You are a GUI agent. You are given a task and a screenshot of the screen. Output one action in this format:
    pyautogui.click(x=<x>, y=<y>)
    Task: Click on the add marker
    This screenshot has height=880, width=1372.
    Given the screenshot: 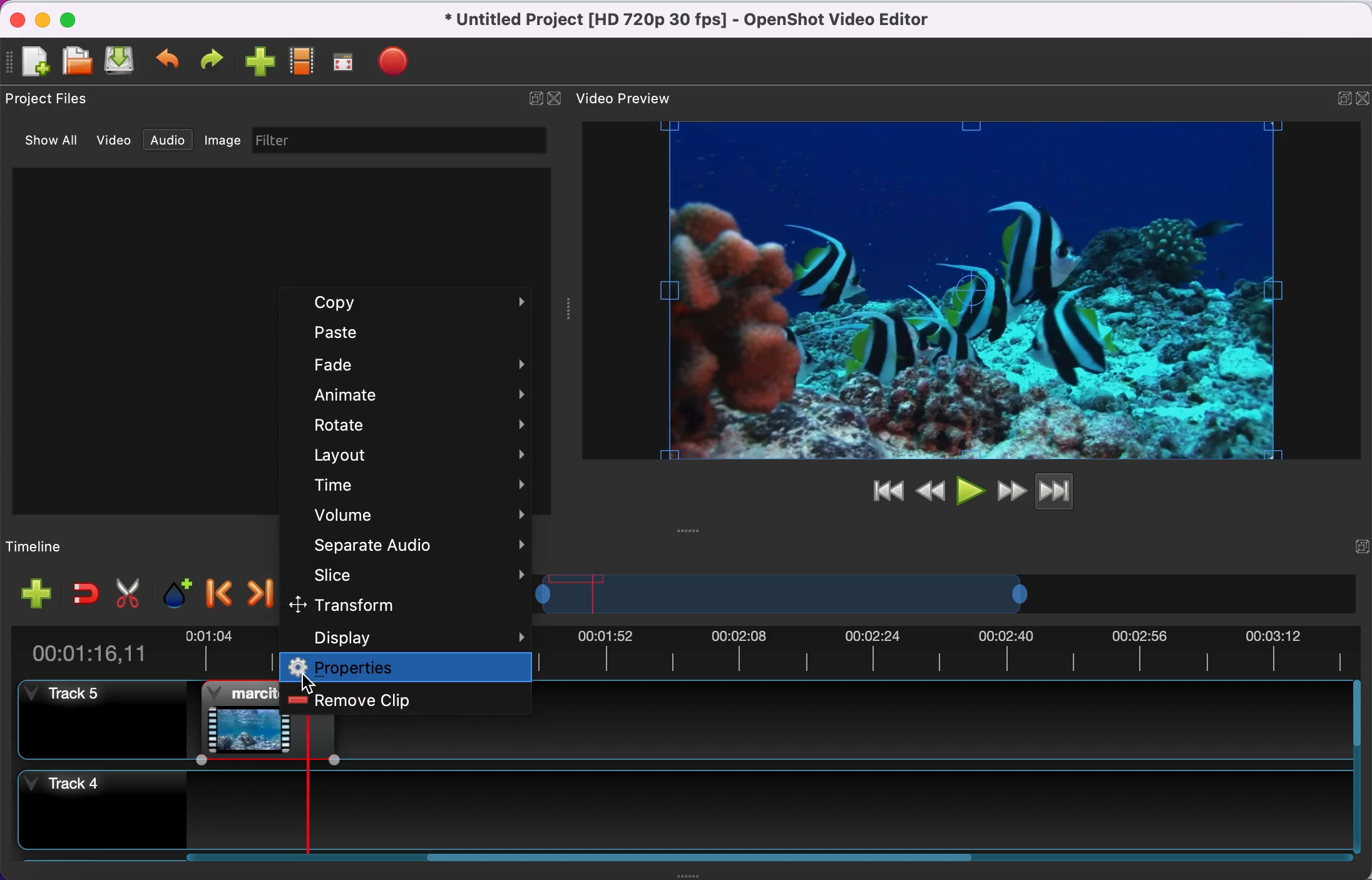 What is the action you would take?
    pyautogui.click(x=174, y=592)
    